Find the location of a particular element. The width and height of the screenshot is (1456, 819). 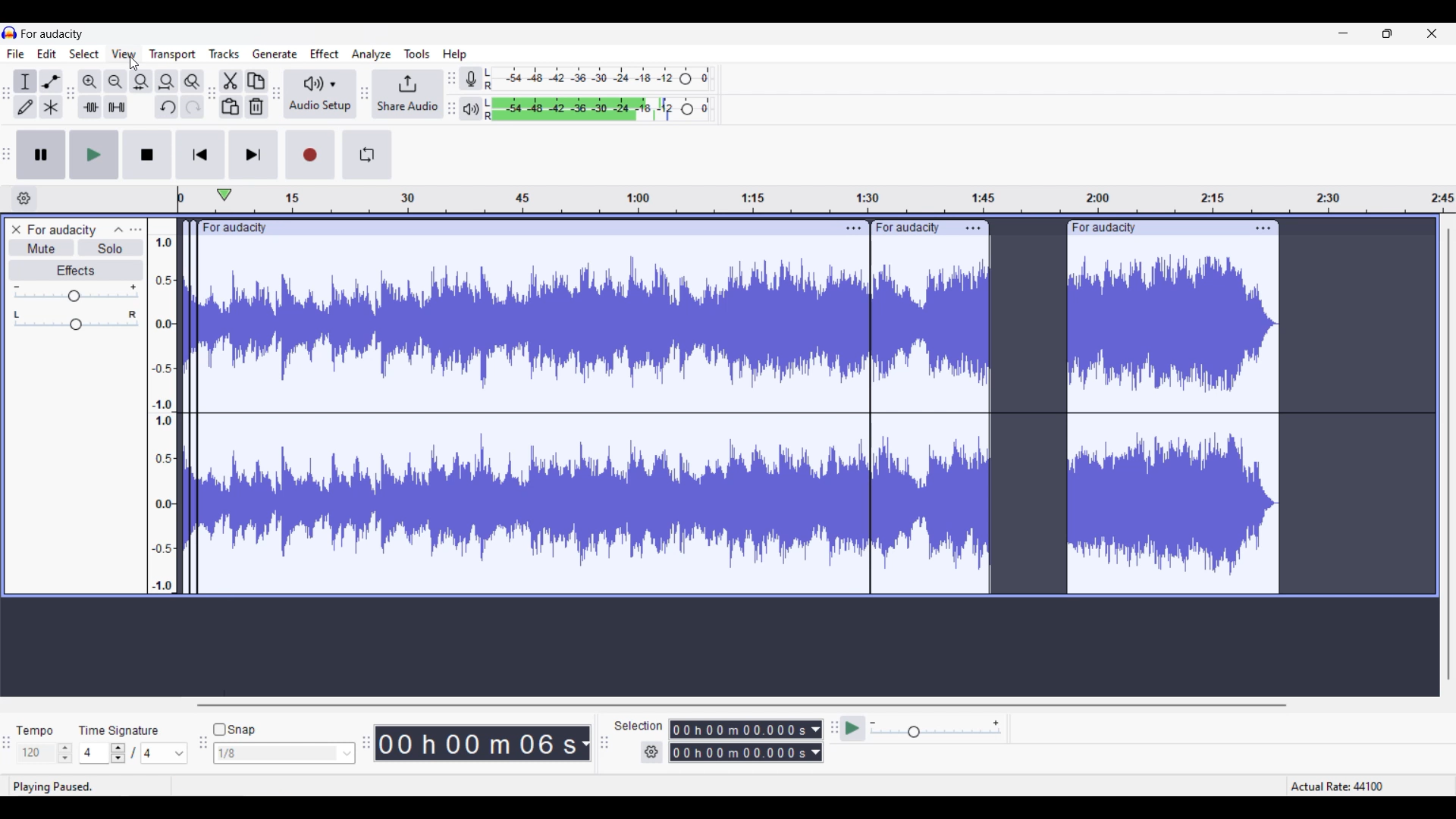

Stop is located at coordinates (146, 155).